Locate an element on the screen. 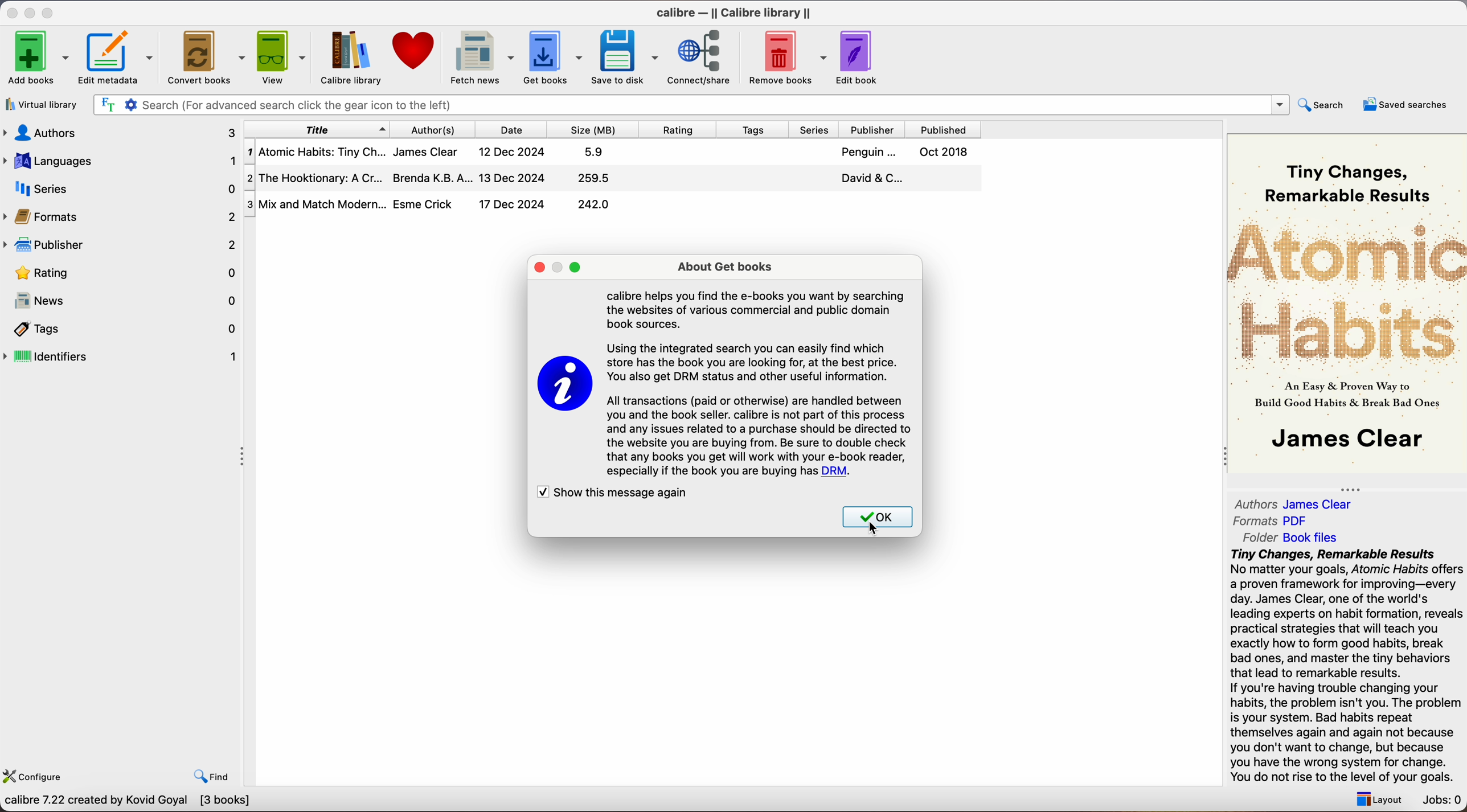 The height and width of the screenshot is (812, 1467). about get books is located at coordinates (730, 268).